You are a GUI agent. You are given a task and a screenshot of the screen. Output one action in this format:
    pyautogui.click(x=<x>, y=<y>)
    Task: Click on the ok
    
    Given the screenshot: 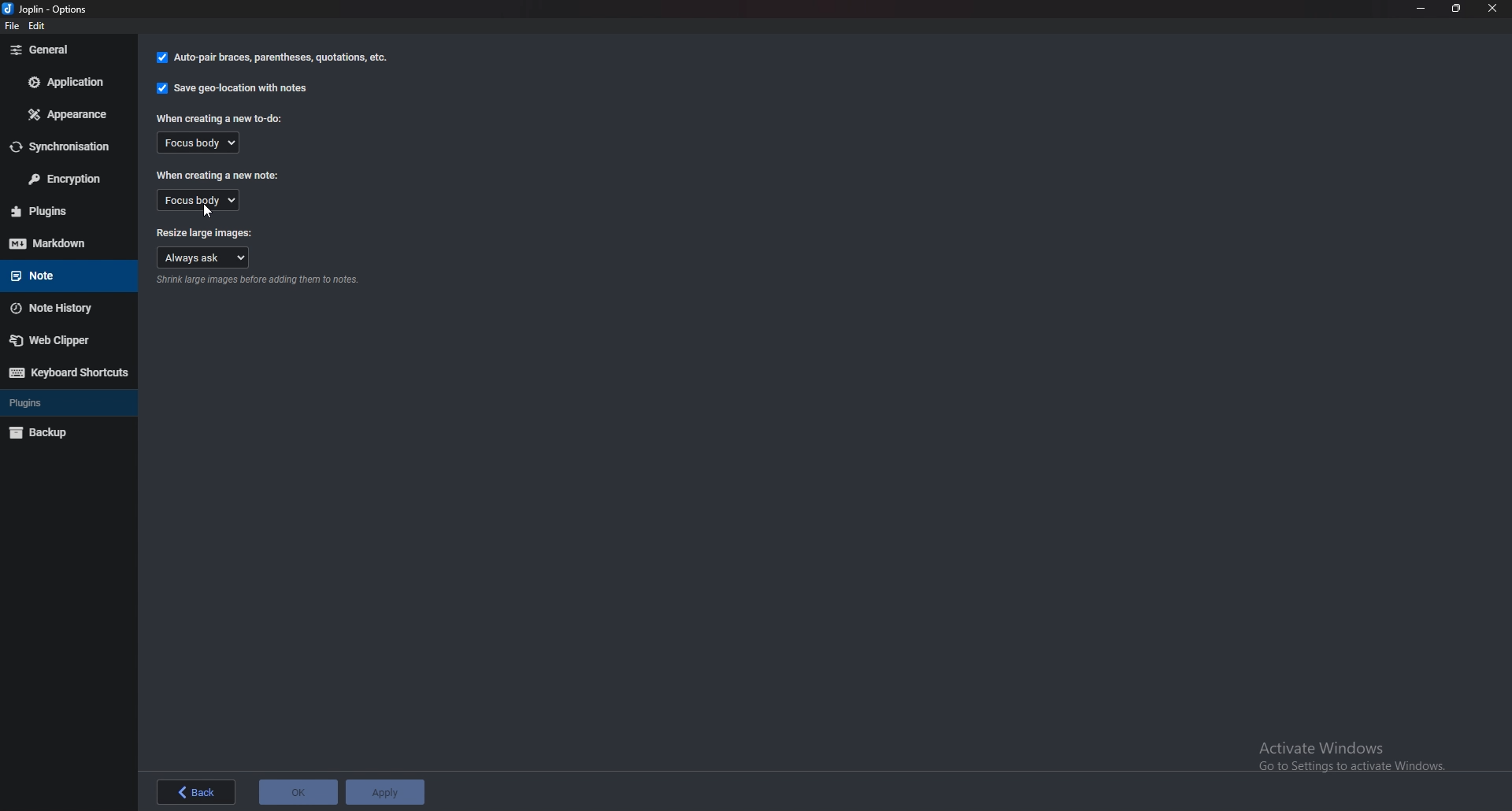 What is the action you would take?
    pyautogui.click(x=300, y=794)
    